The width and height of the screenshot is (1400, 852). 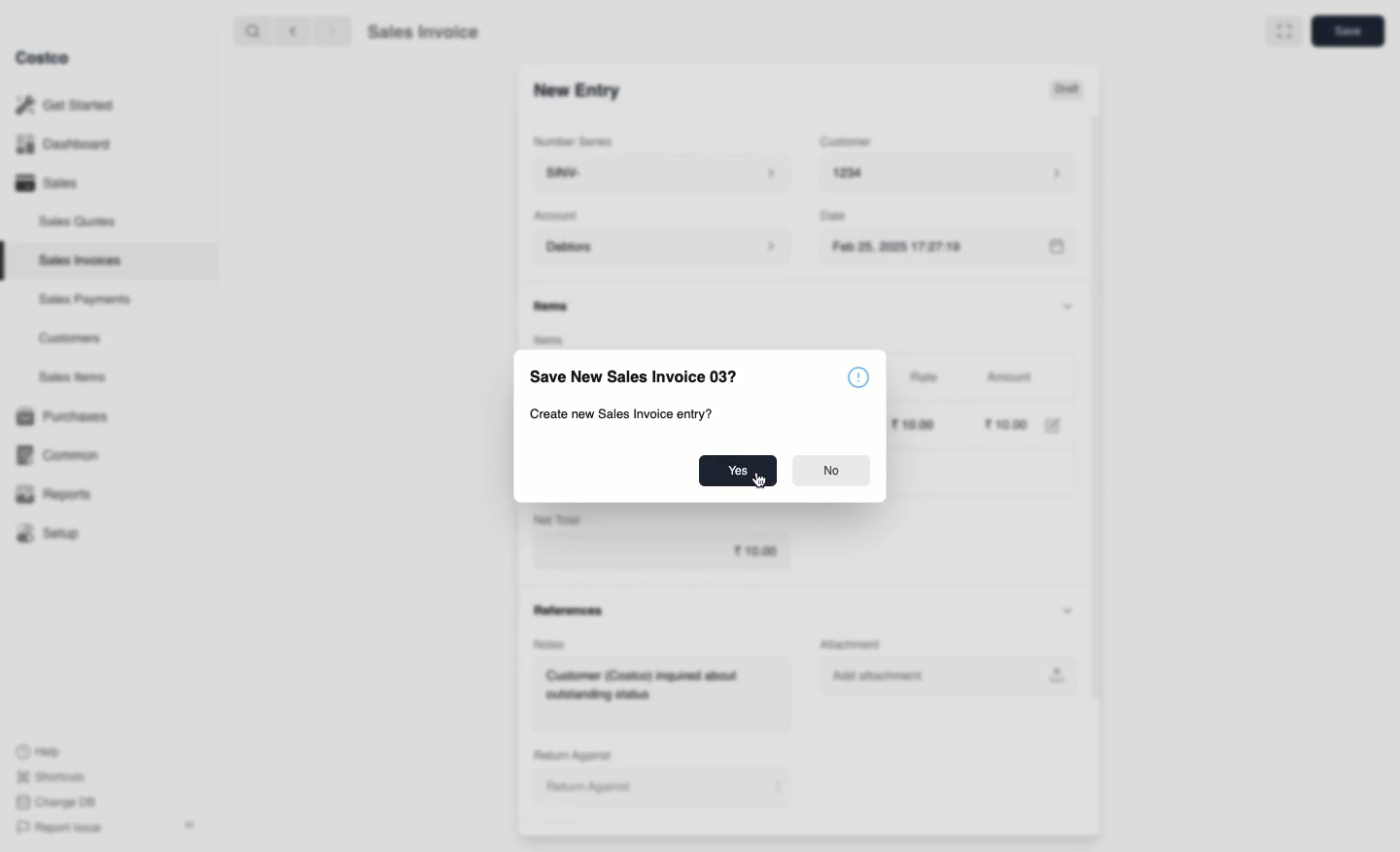 What do you see at coordinates (634, 375) in the screenshot?
I see `Save New Sales Invoice 03?` at bounding box center [634, 375].